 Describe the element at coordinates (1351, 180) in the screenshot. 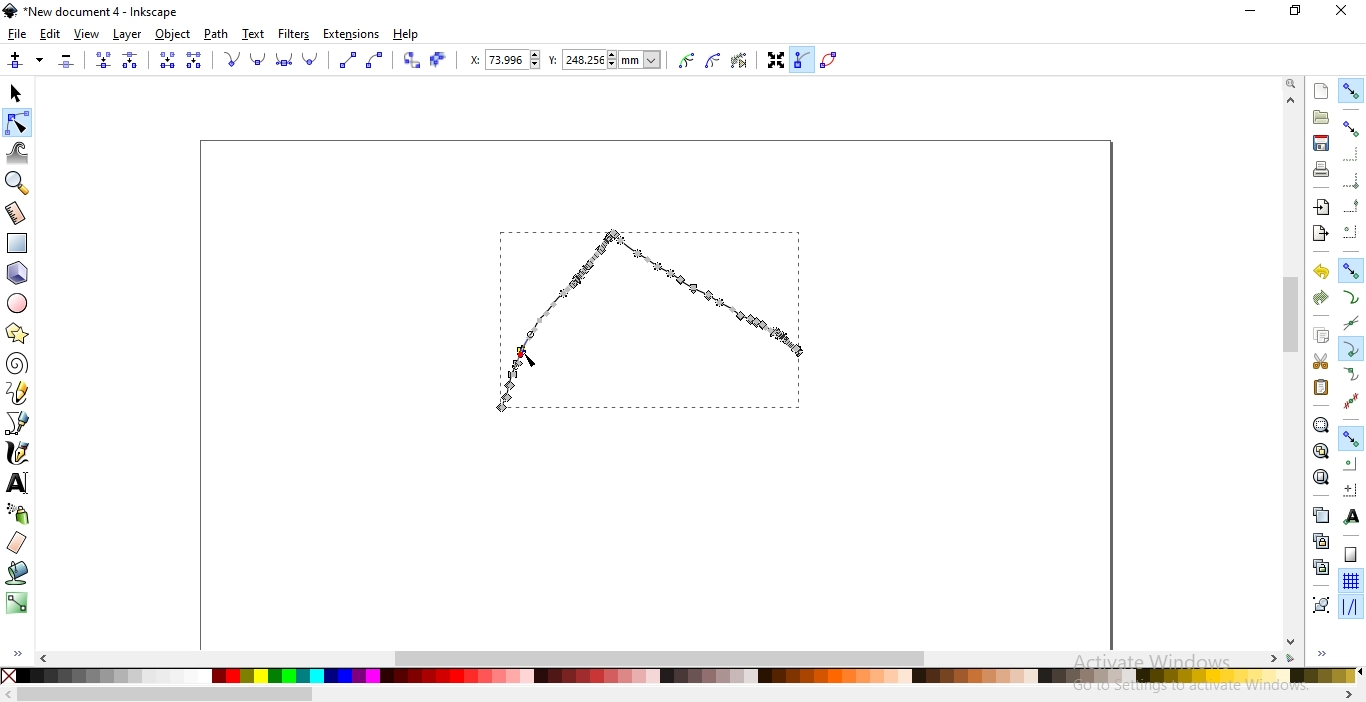

I see `` at that location.